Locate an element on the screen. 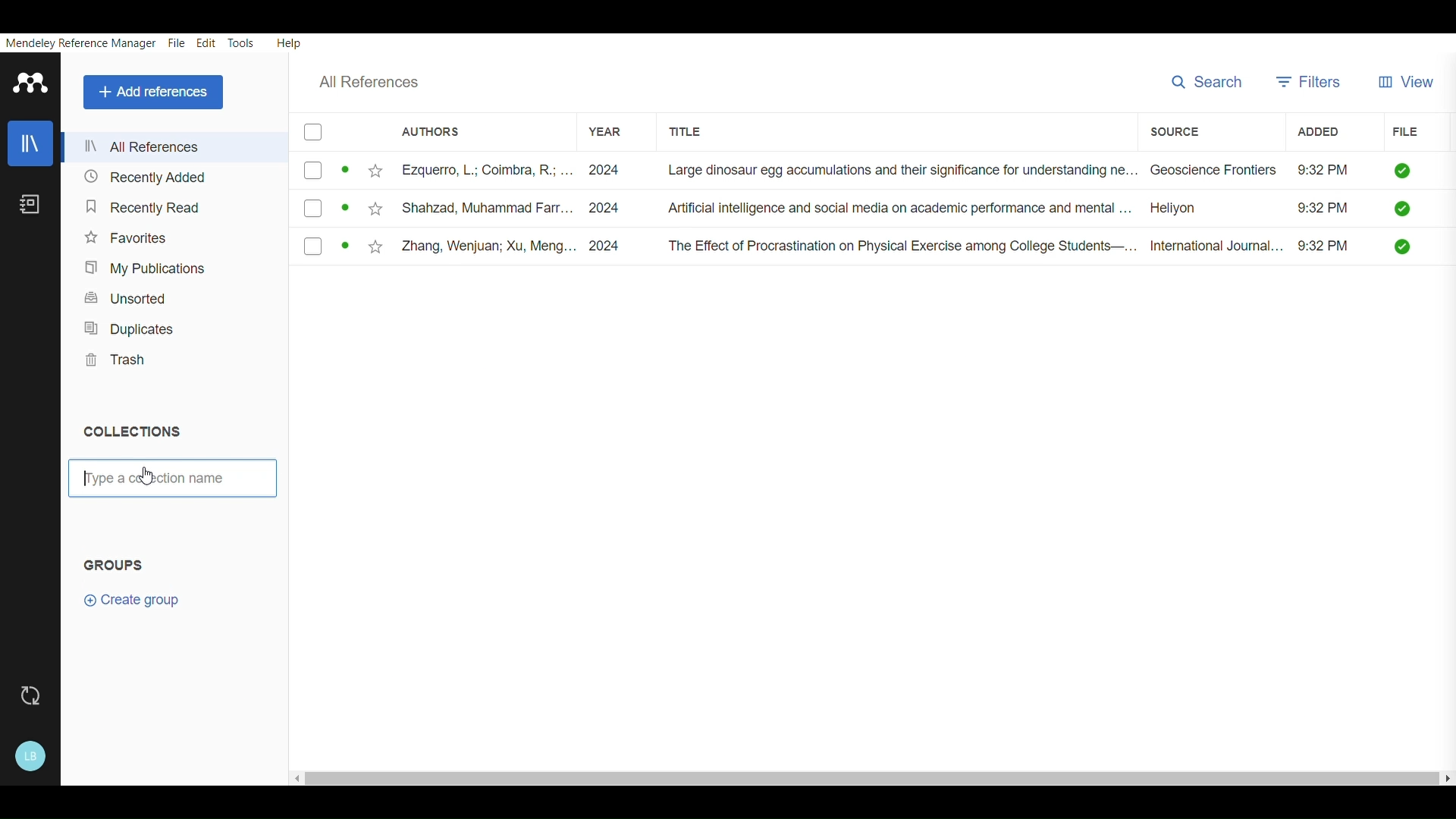  Mendeley Reference Manager is located at coordinates (78, 42).